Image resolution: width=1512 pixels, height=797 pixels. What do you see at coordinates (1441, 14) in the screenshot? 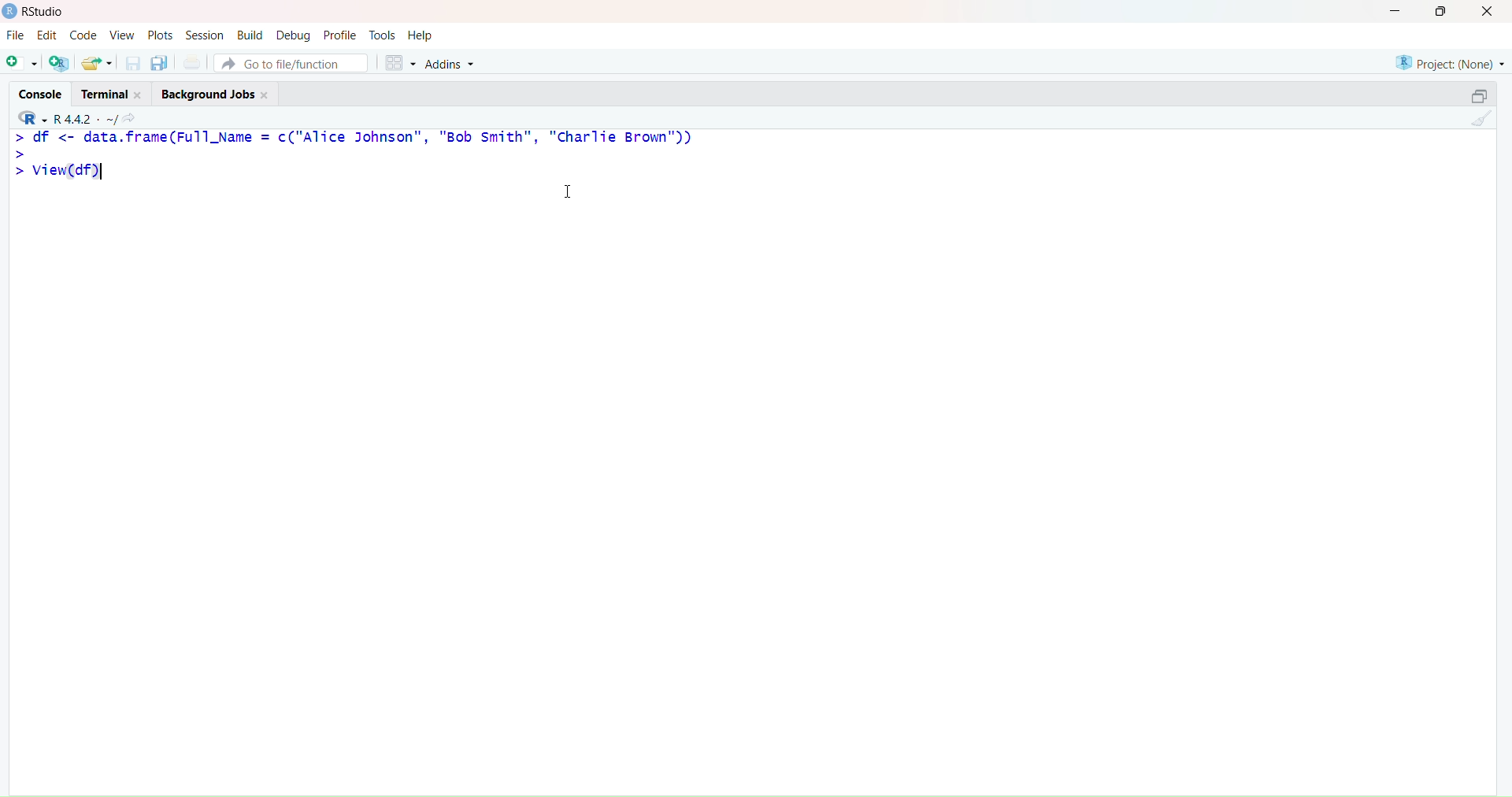
I see `Maximize` at bounding box center [1441, 14].